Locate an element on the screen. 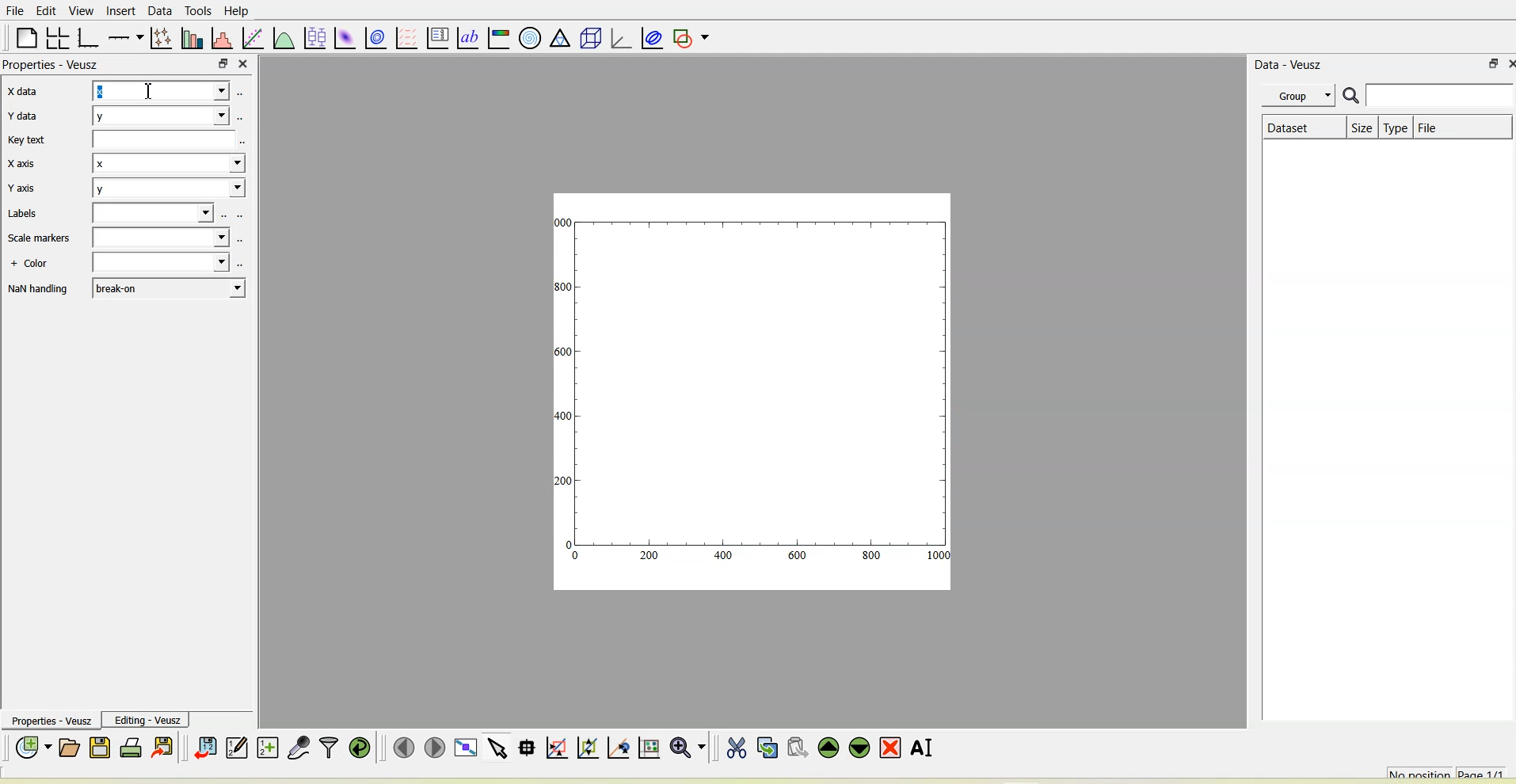 This screenshot has width=1516, height=784. Click to zoom out of graph axes is located at coordinates (589, 749).